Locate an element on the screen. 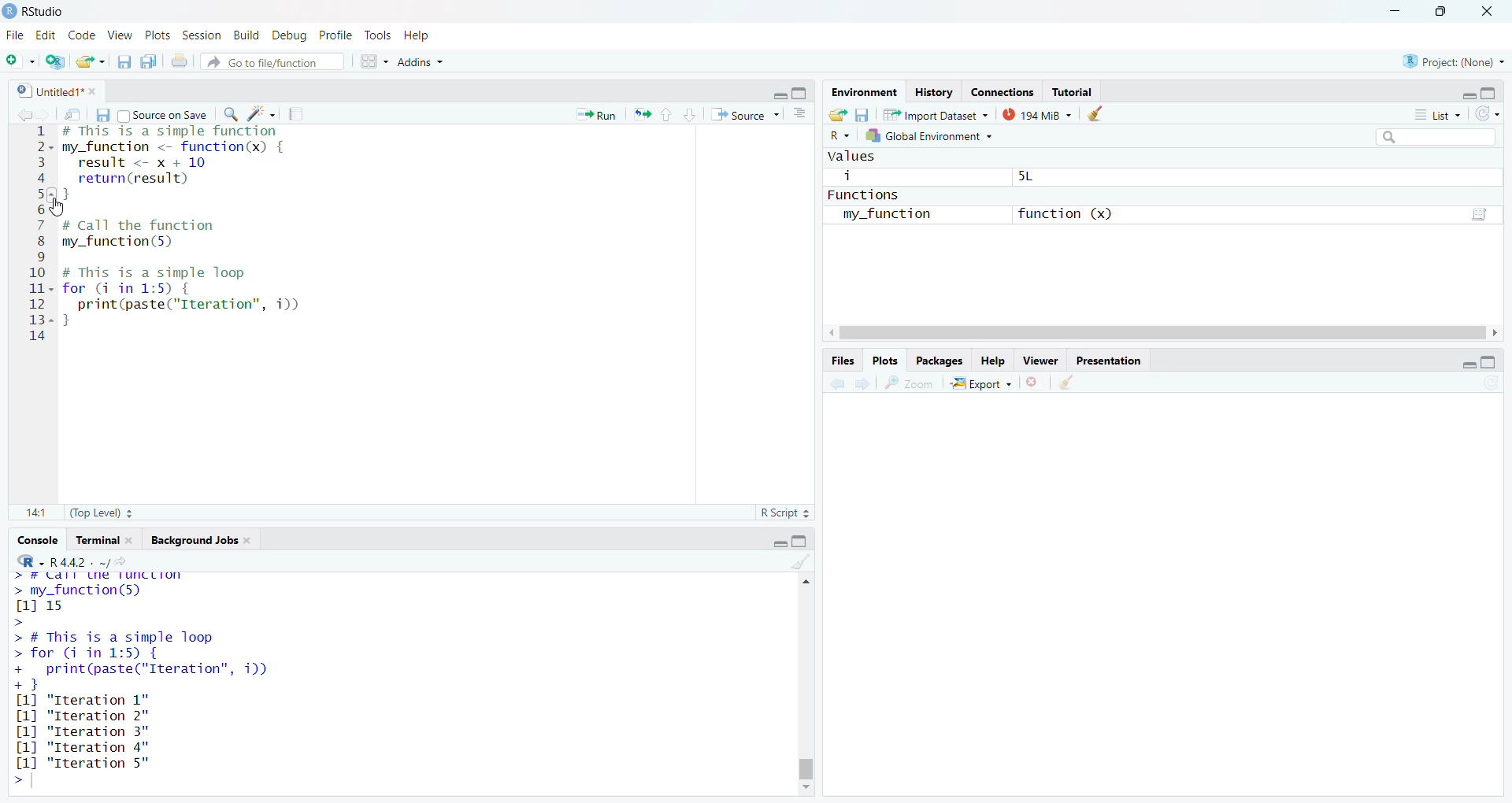  clear console is located at coordinates (801, 561).